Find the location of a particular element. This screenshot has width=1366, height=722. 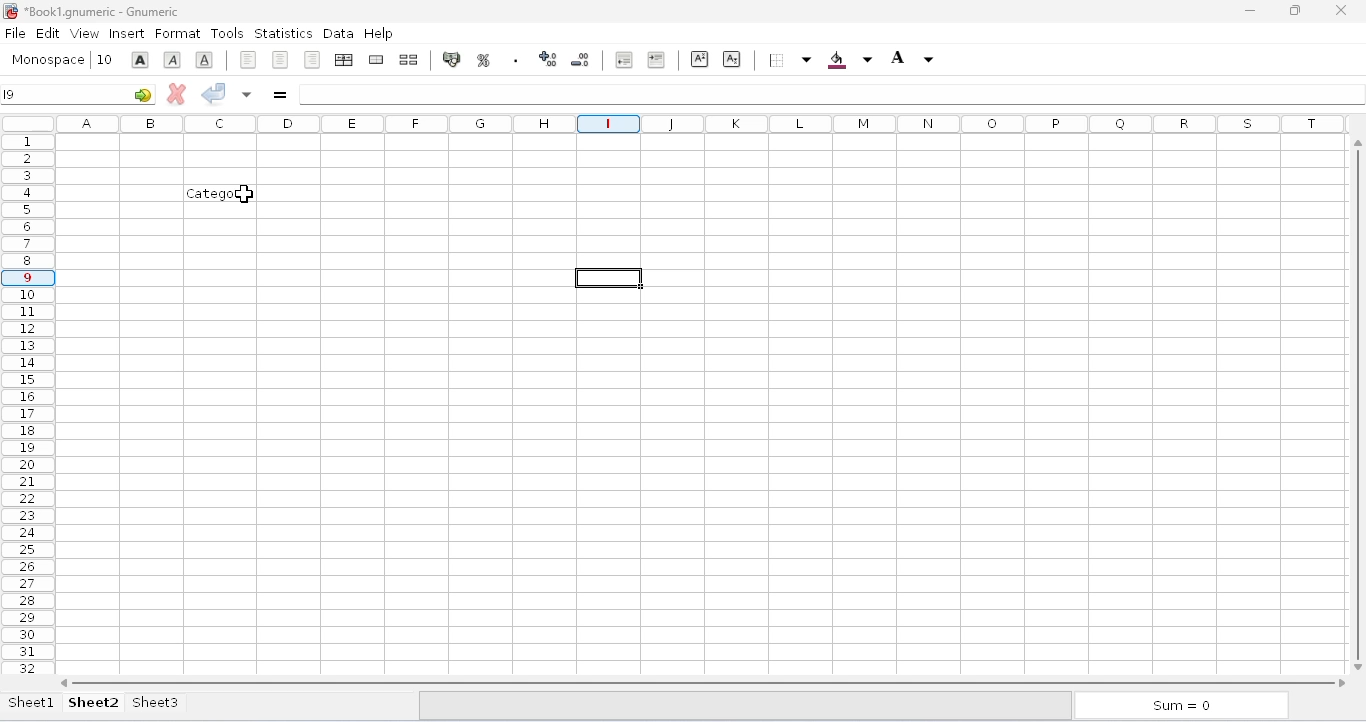

sheet2 is located at coordinates (94, 702).